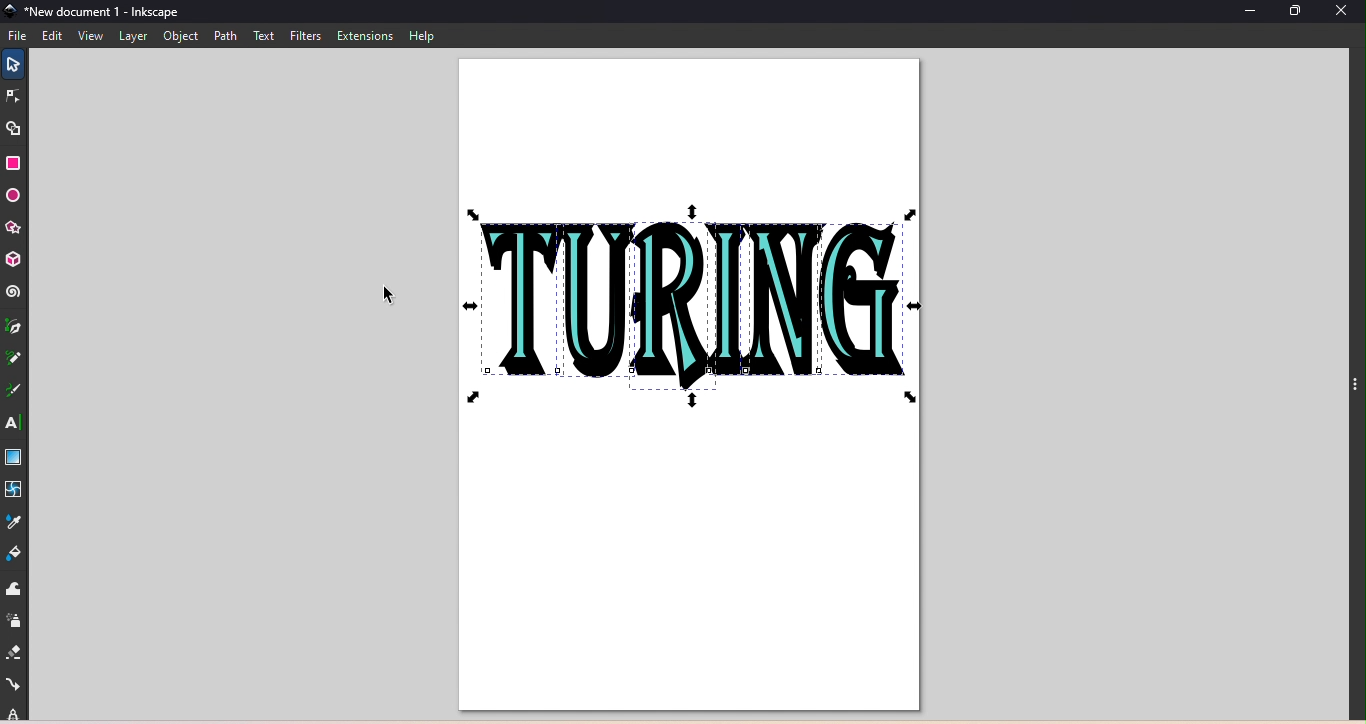  What do you see at coordinates (11, 62) in the screenshot?
I see `Selector tool` at bounding box center [11, 62].